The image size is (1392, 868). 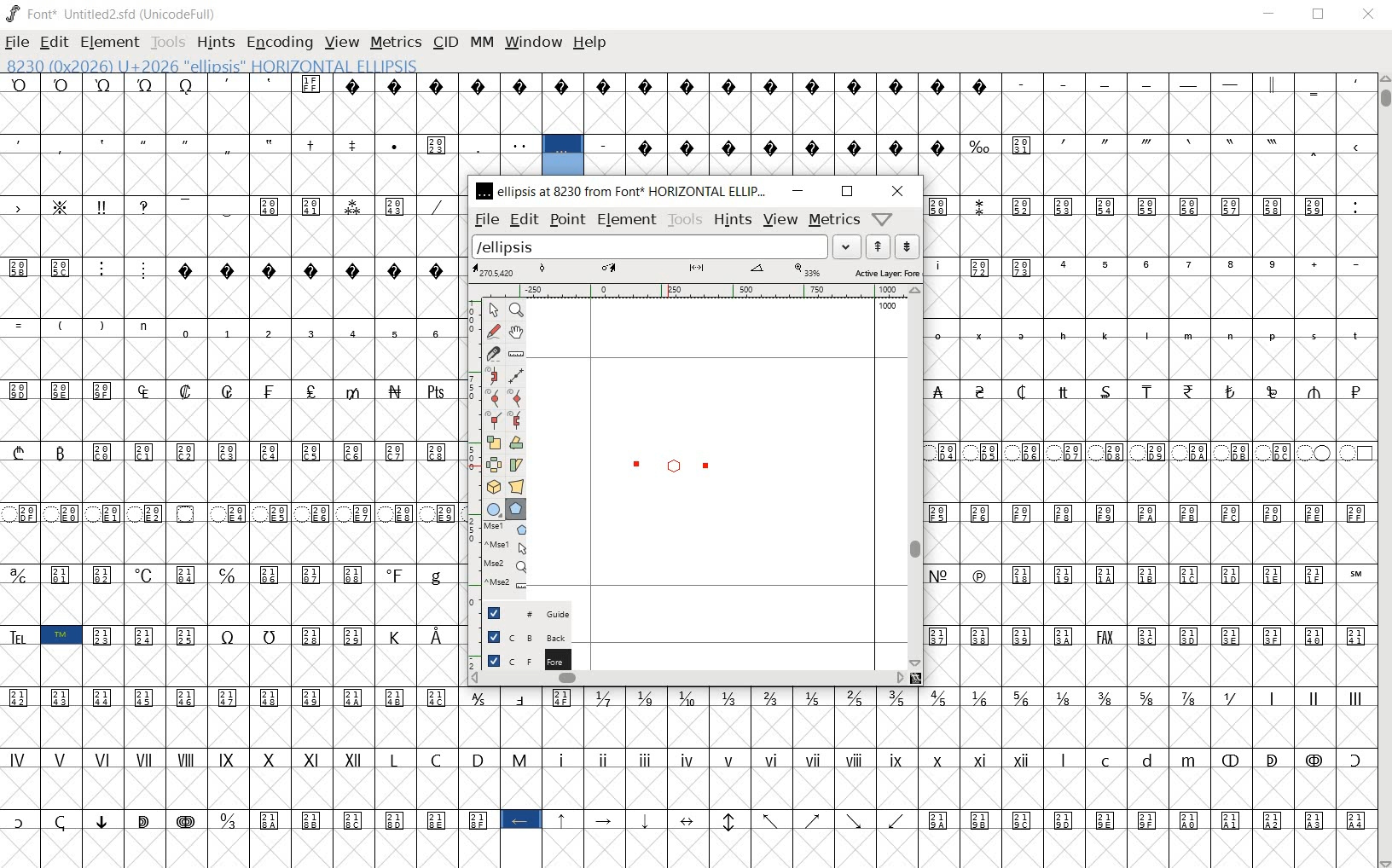 I want to click on skew the selection, so click(x=518, y=465).